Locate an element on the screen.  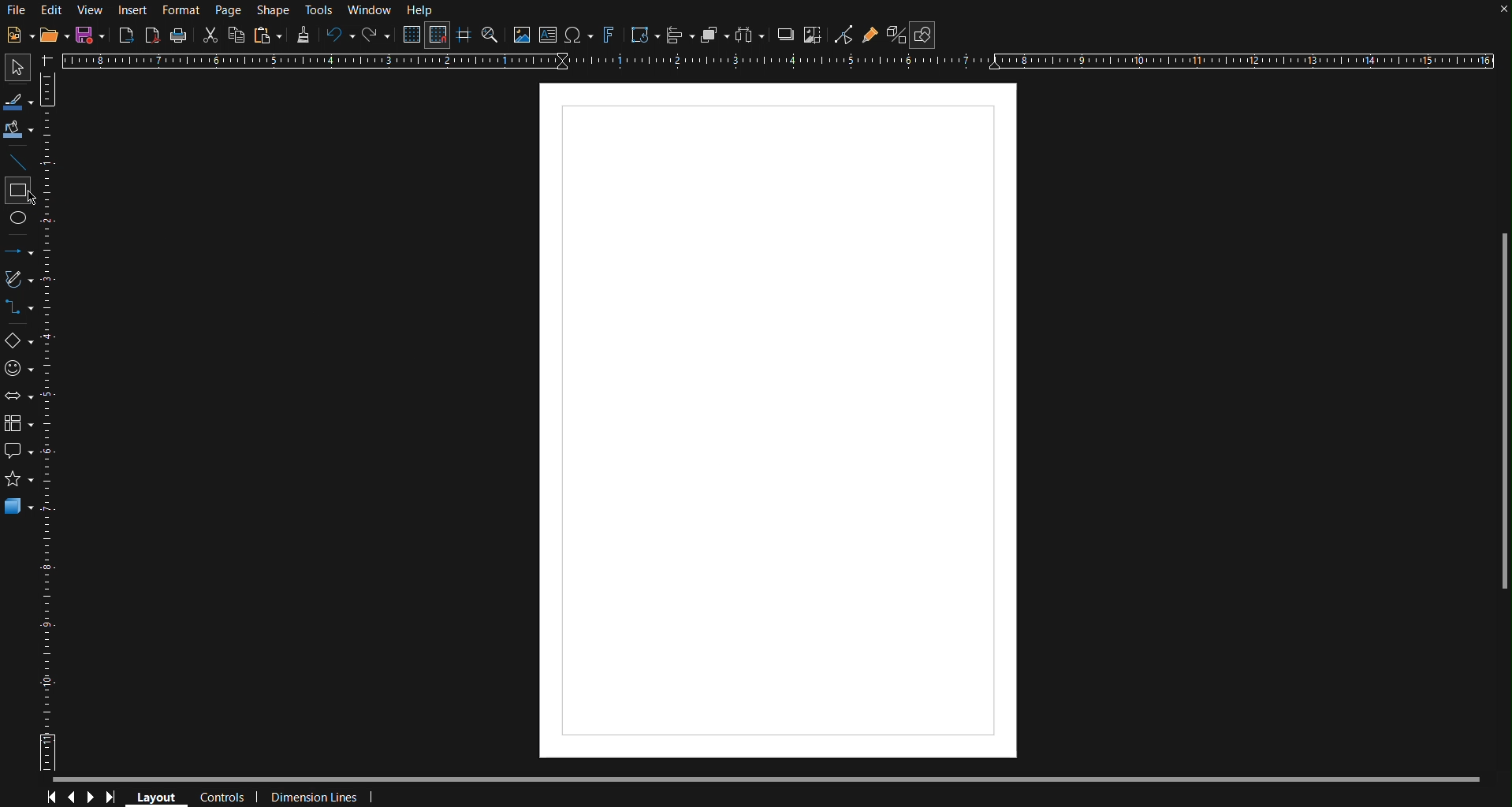
Save is located at coordinates (91, 35).